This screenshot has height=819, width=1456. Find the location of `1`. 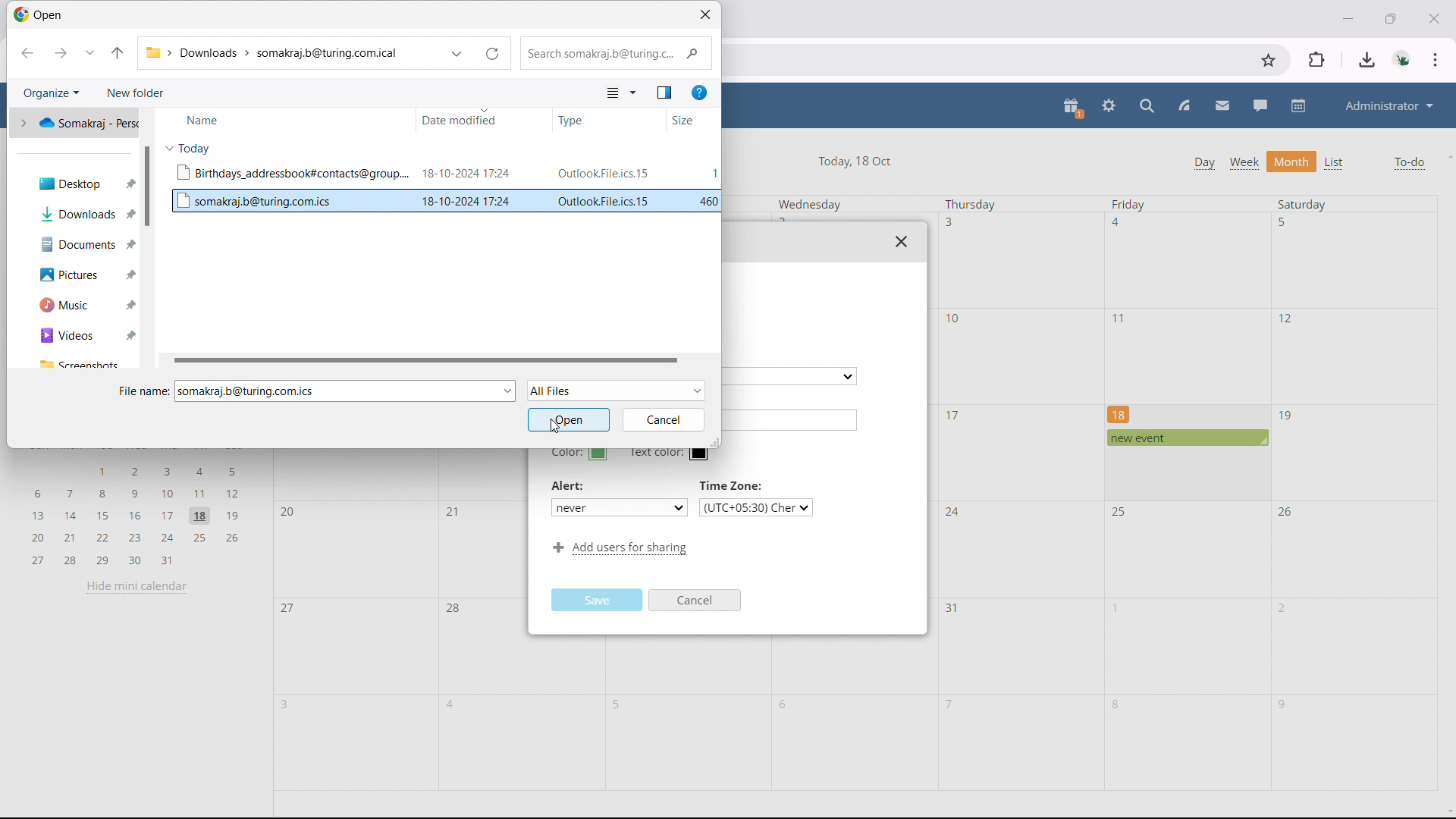

1 is located at coordinates (1118, 608).